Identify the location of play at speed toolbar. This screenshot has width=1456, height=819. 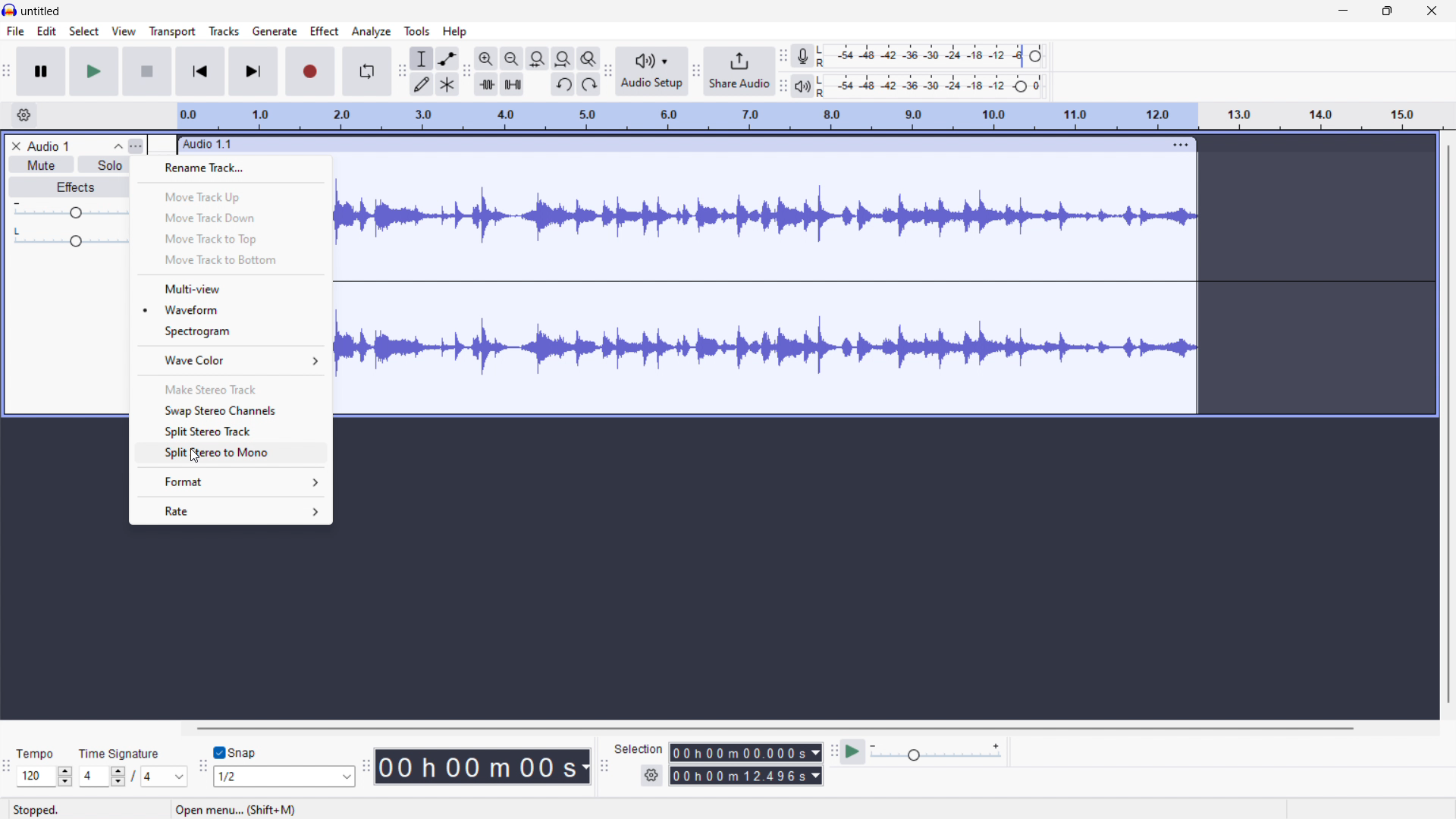
(833, 752).